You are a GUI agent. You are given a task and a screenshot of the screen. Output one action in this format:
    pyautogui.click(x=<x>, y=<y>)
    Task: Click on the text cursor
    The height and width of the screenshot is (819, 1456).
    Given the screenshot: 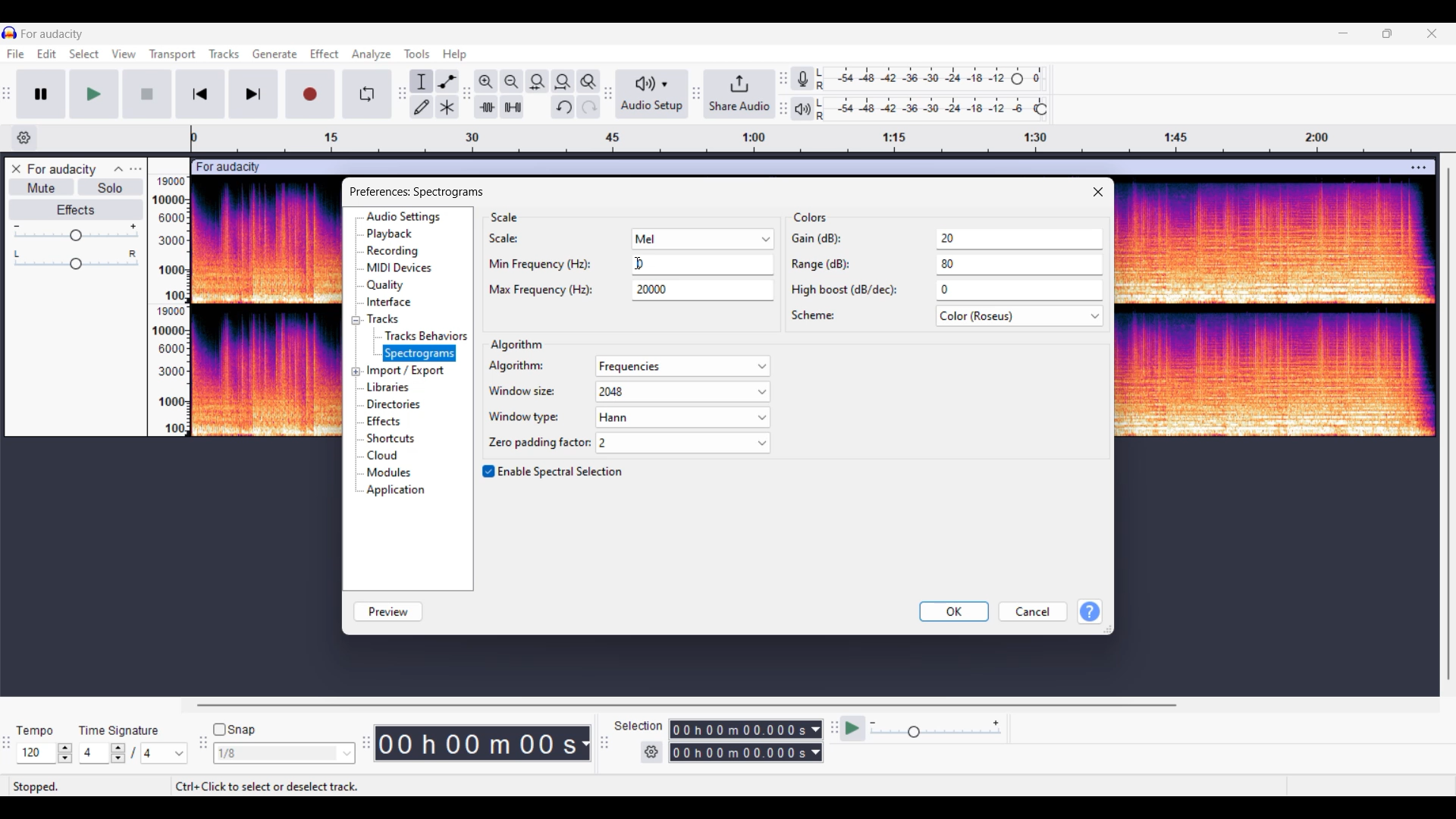 What is the action you would take?
    pyautogui.click(x=635, y=265)
    